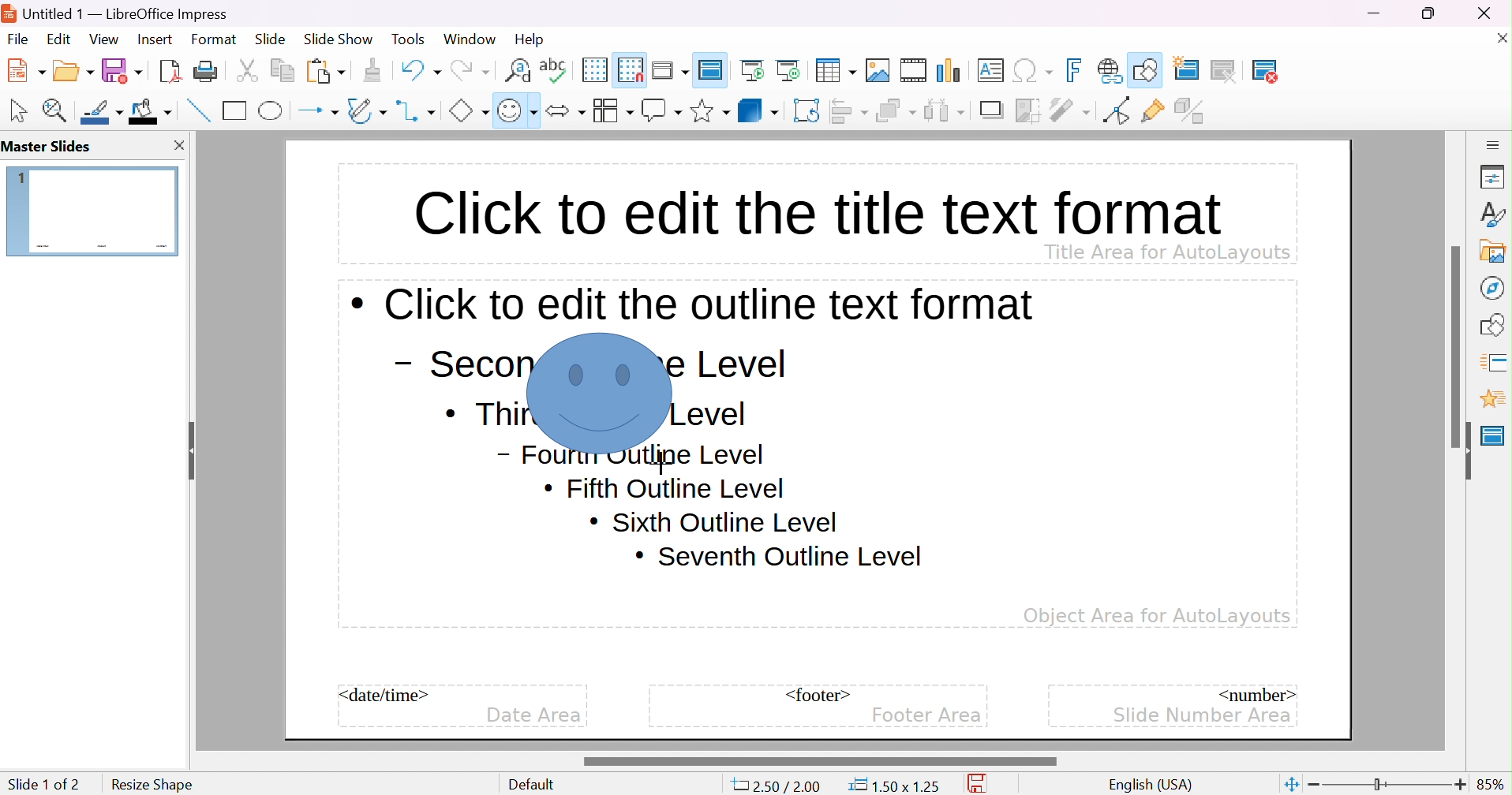  What do you see at coordinates (1493, 435) in the screenshot?
I see `master slide` at bounding box center [1493, 435].